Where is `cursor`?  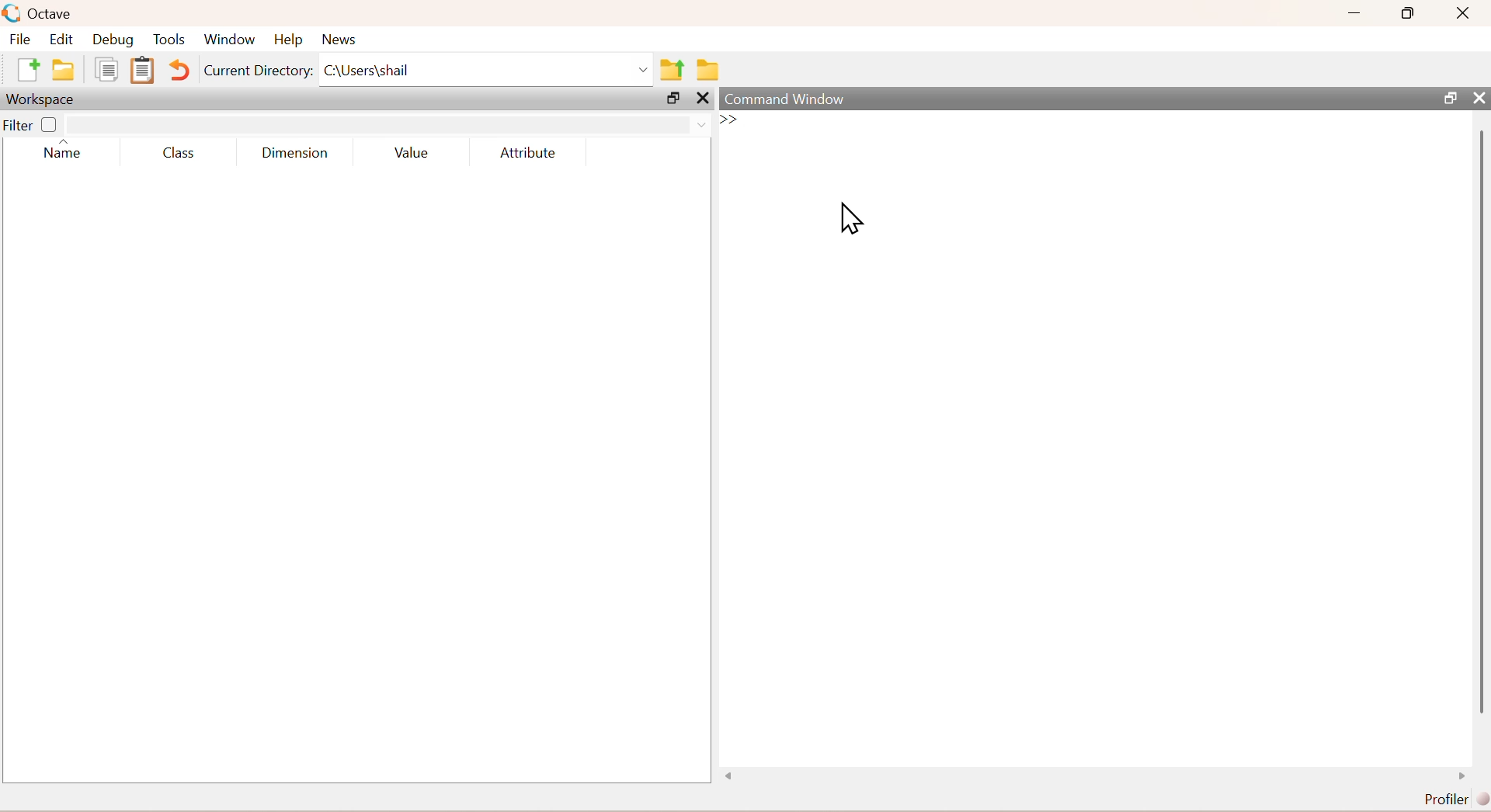 cursor is located at coordinates (850, 220).